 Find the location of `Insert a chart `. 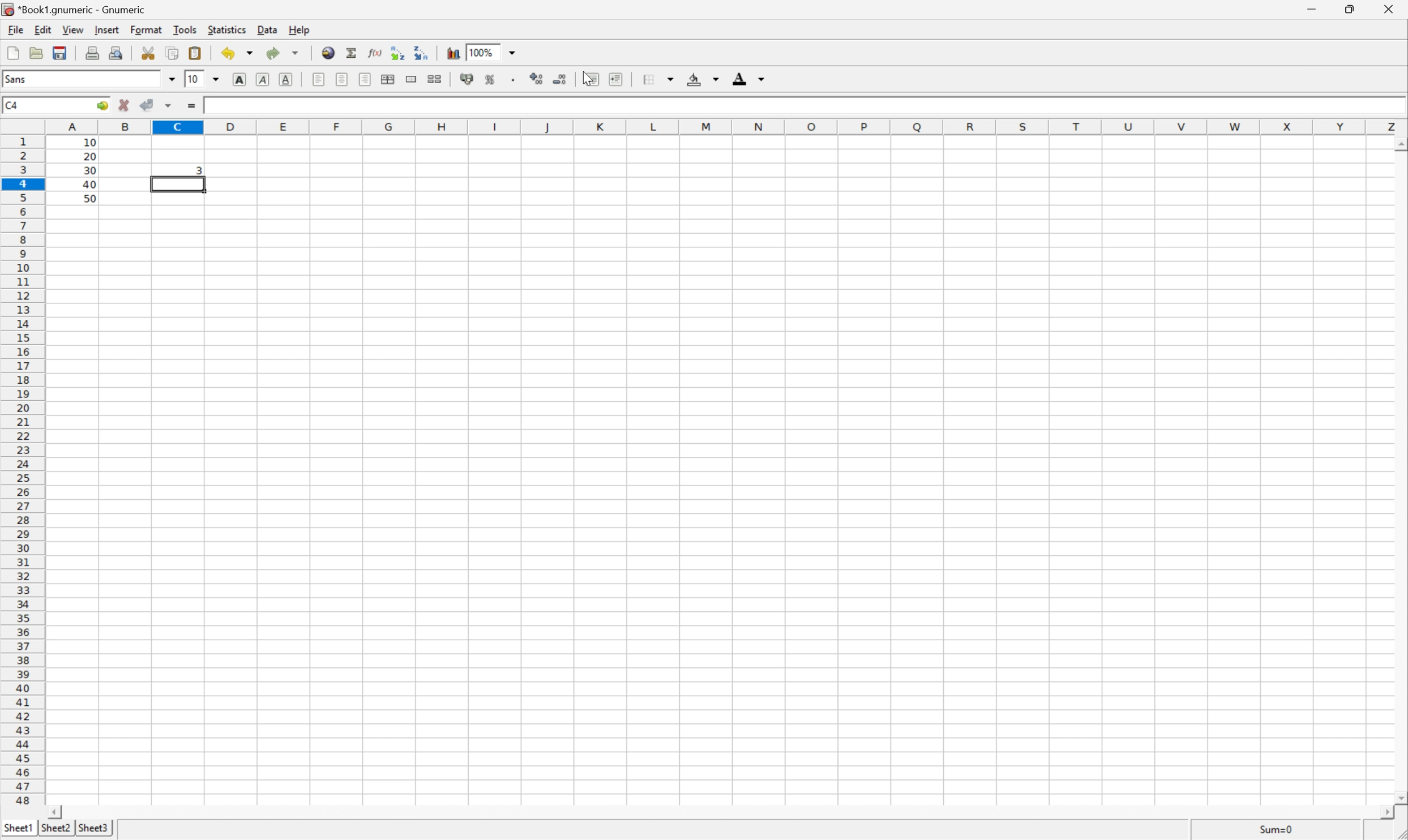

Insert a chart  is located at coordinates (453, 53).